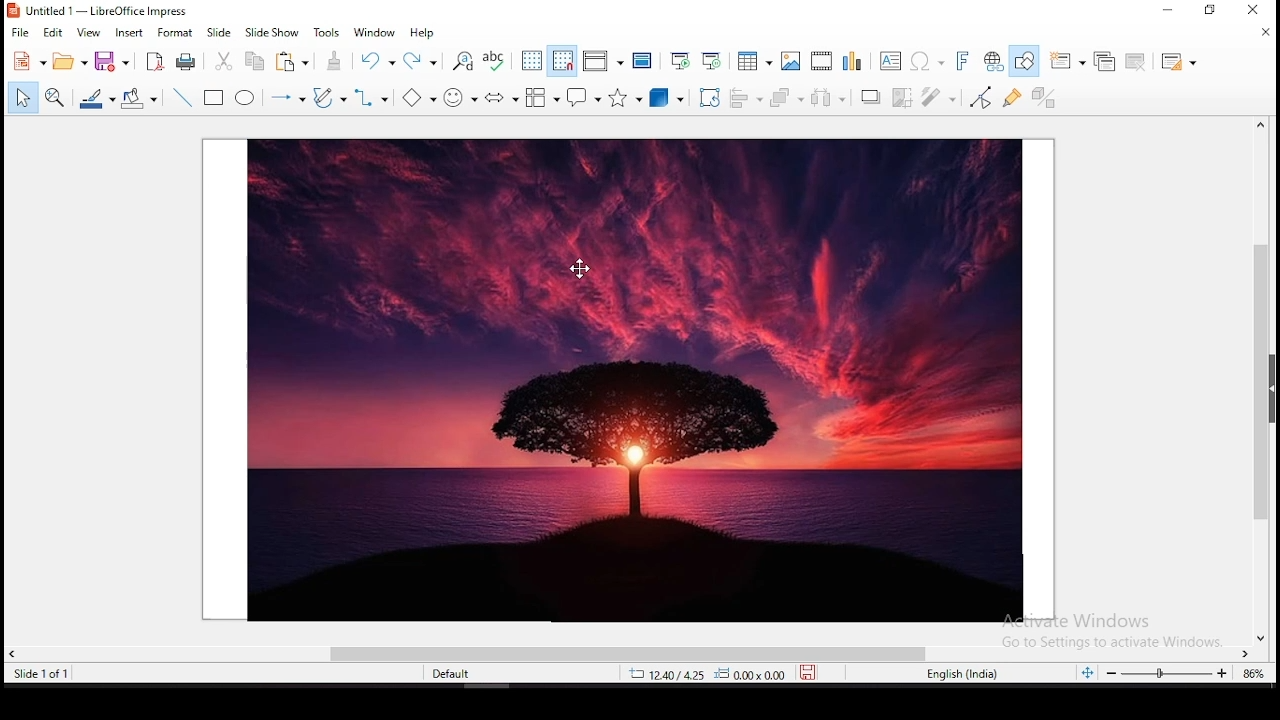 This screenshot has width=1280, height=720. I want to click on copy, so click(289, 61).